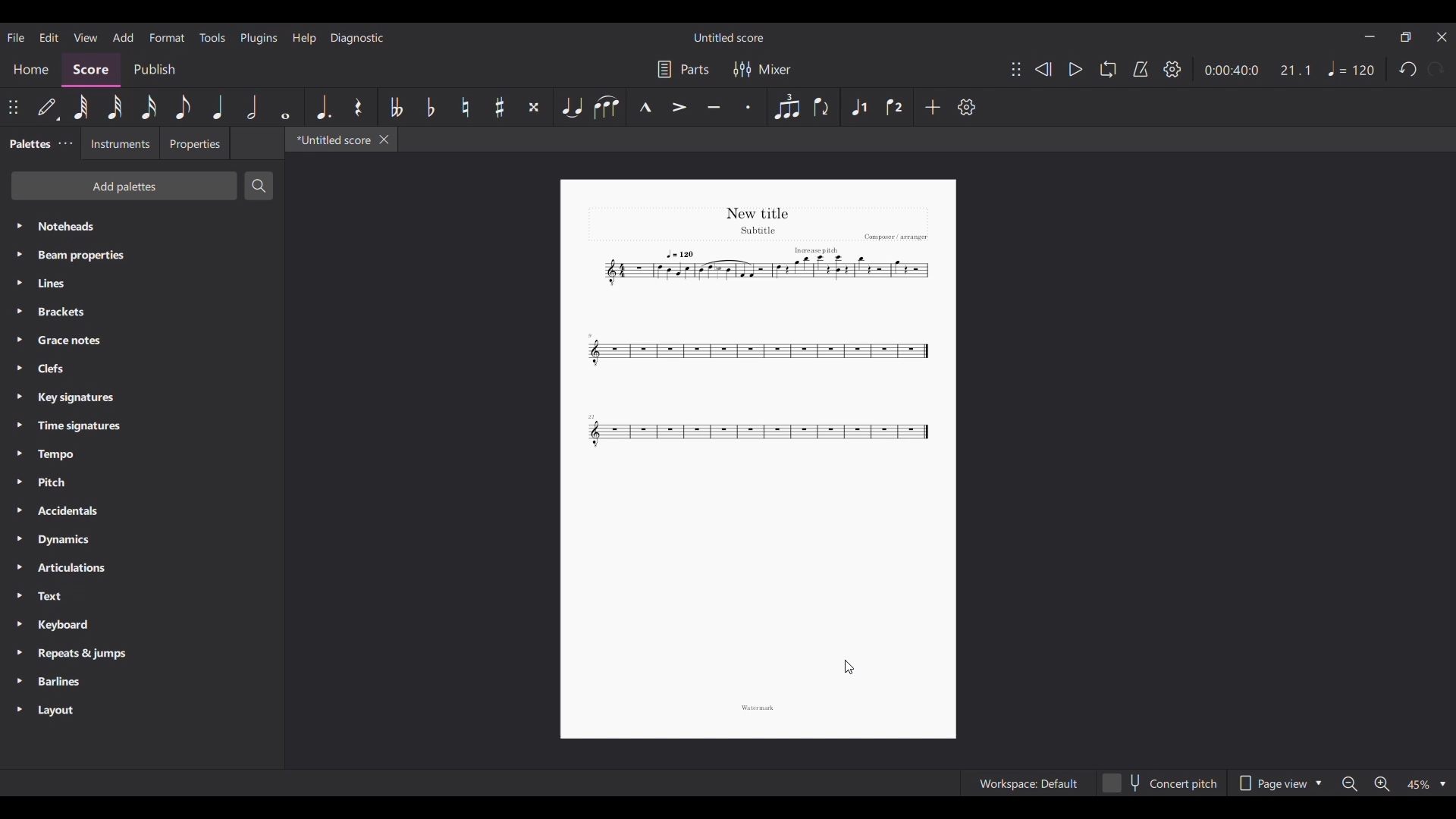 This screenshot has width=1456, height=819. I want to click on Format menu , so click(168, 38).